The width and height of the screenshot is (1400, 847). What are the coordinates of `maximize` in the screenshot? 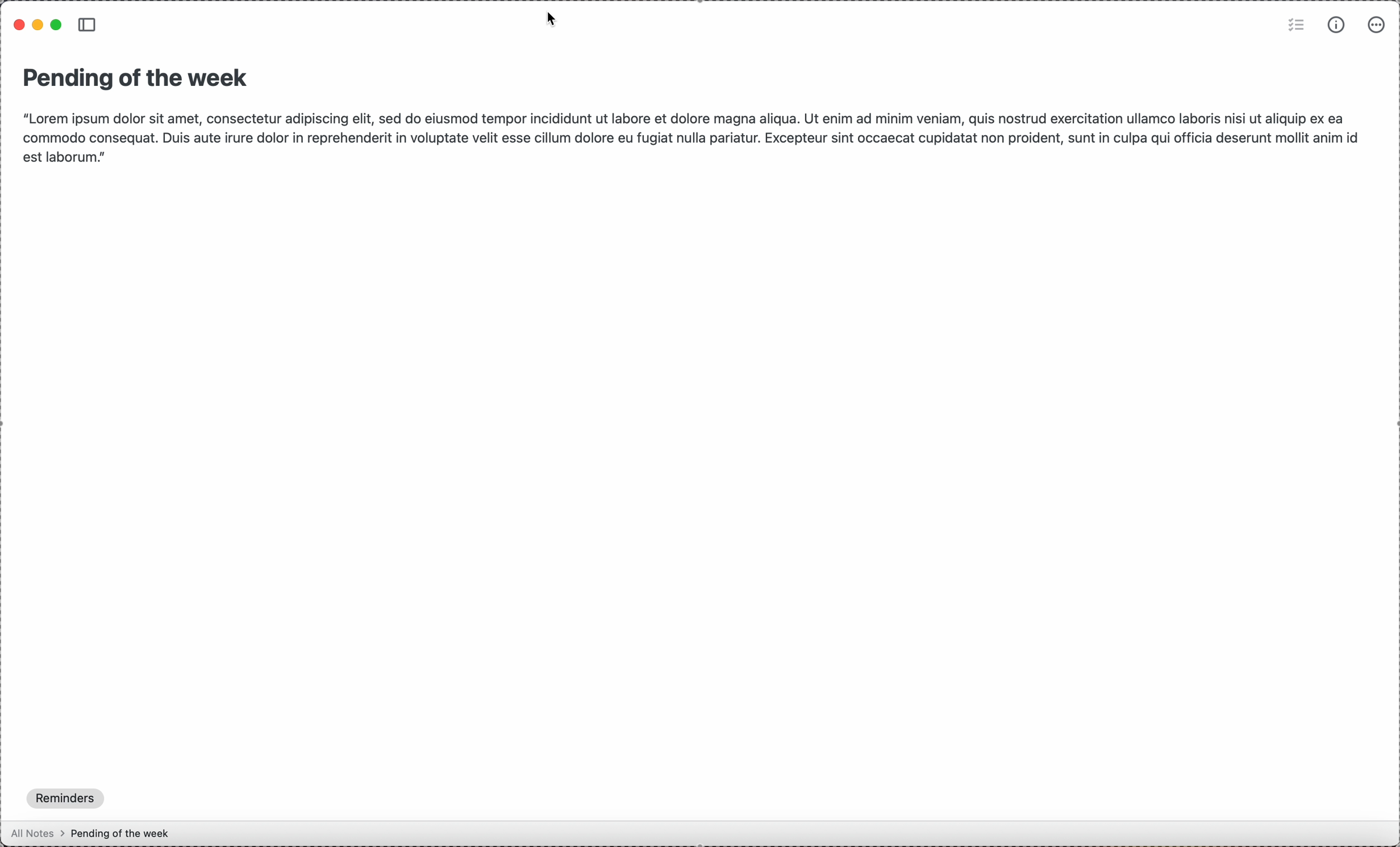 It's located at (57, 27).